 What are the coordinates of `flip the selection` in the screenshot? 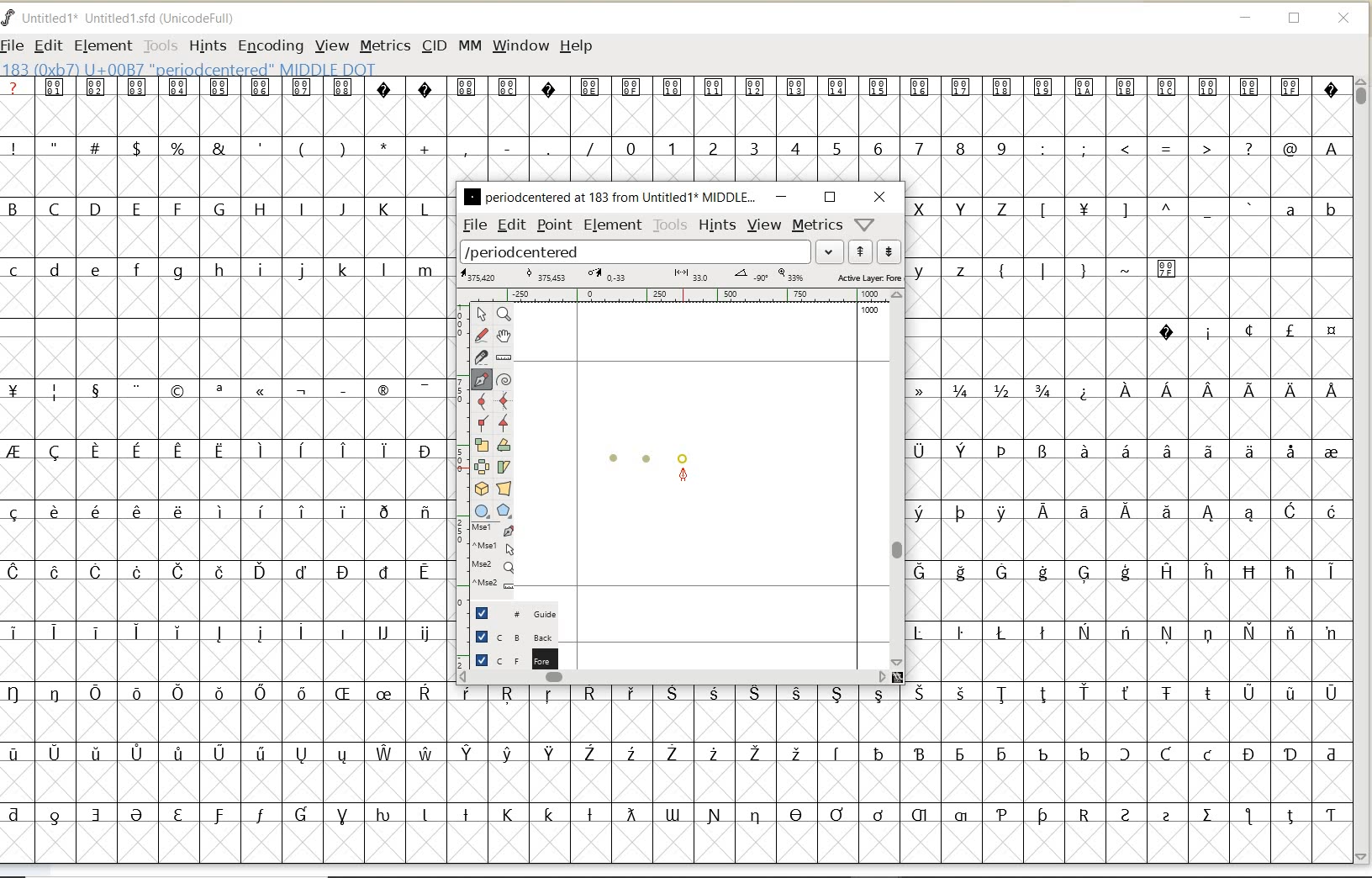 It's located at (483, 467).